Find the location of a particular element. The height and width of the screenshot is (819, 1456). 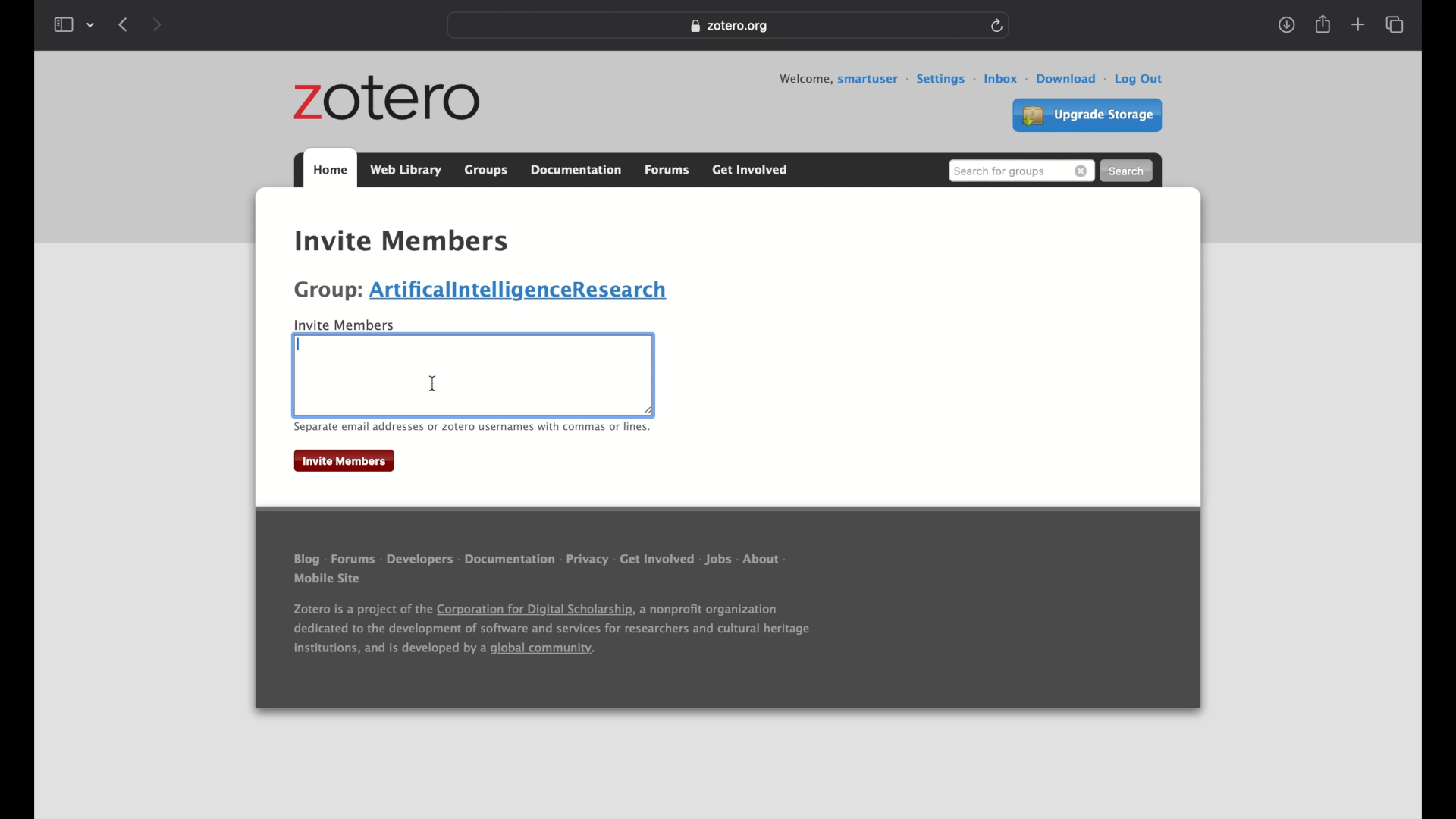

invite members is located at coordinates (350, 323).